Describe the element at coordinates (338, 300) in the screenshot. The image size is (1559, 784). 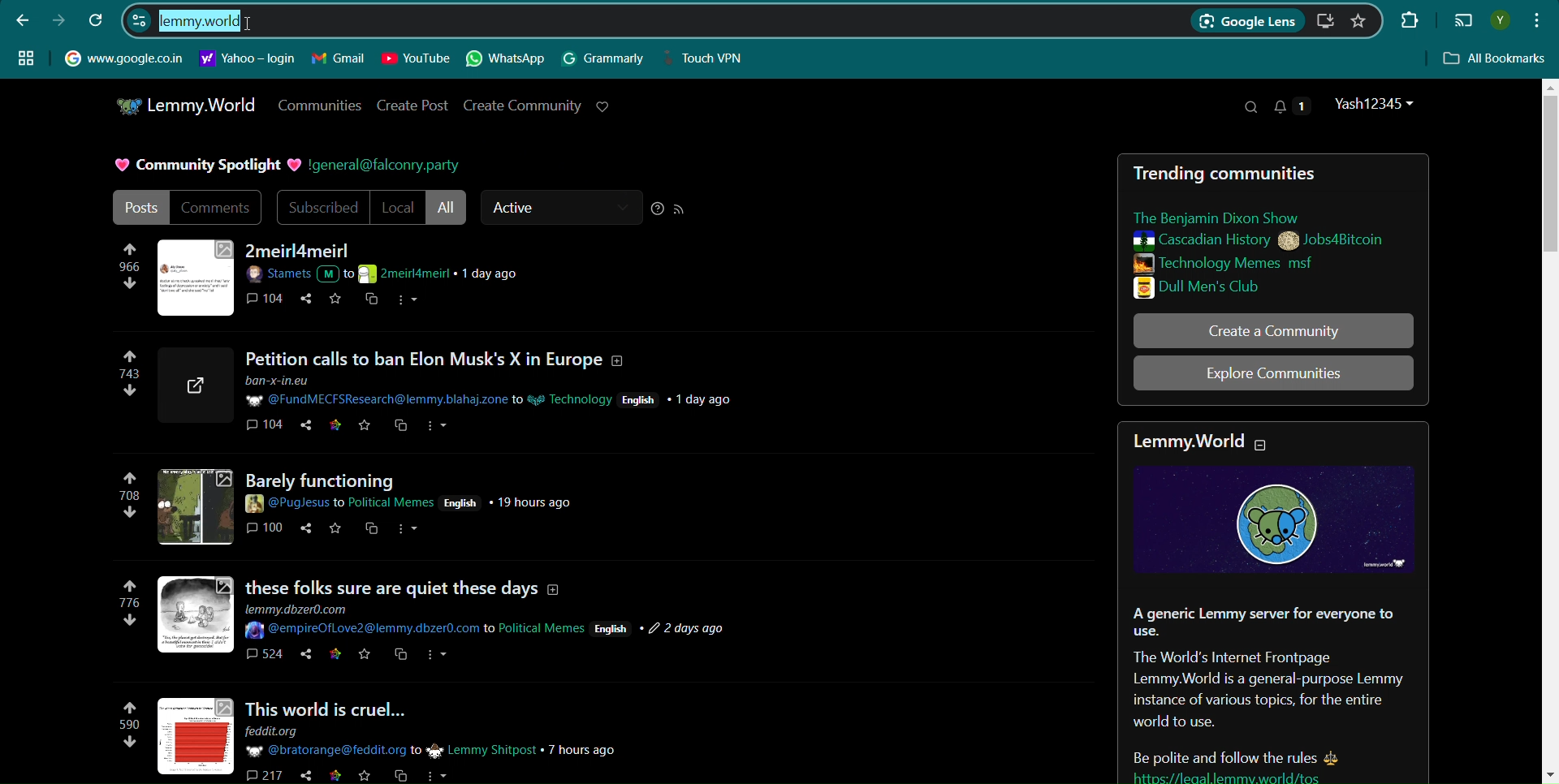
I see `Star` at that location.